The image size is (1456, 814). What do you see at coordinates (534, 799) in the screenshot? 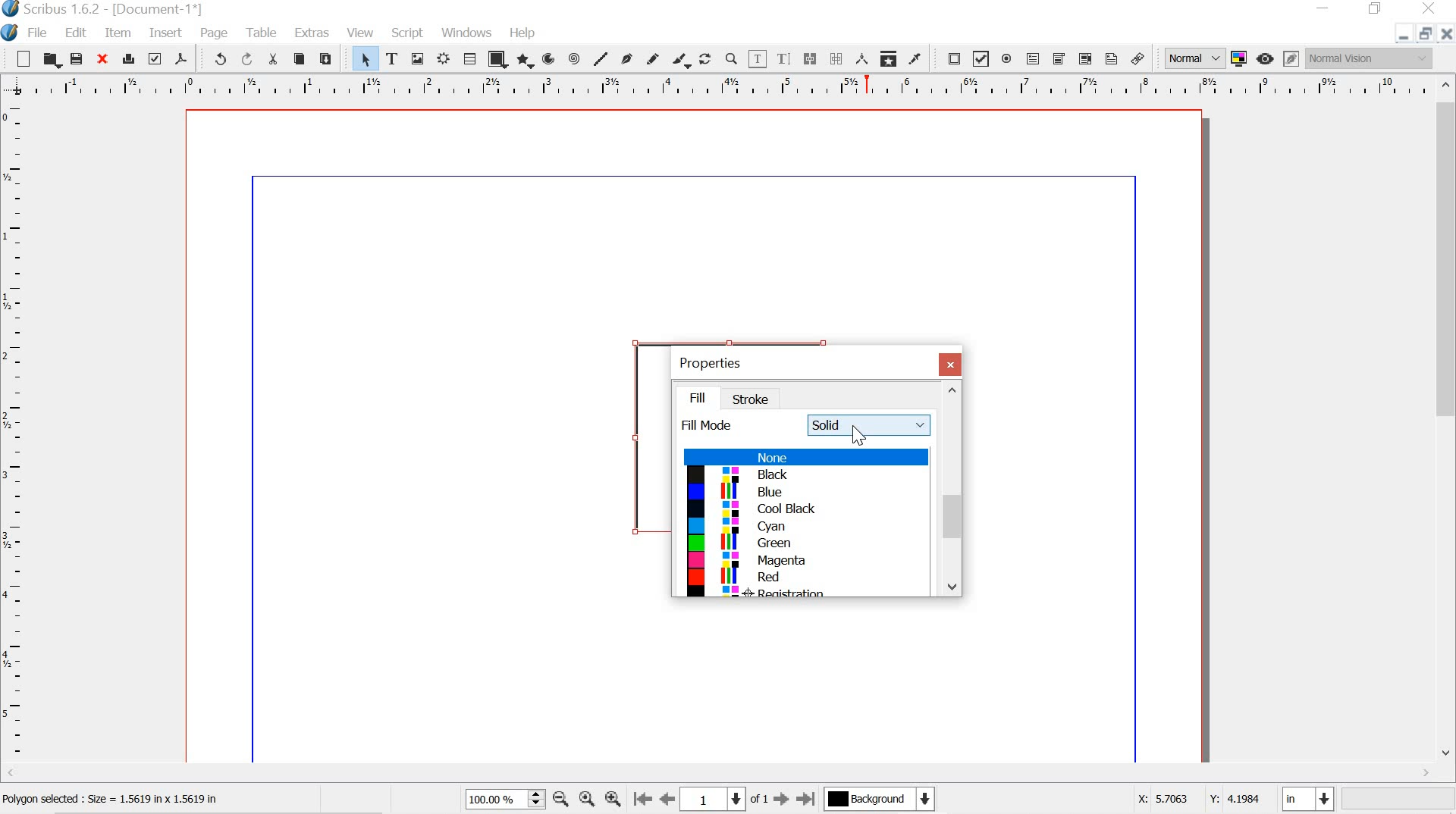
I see `zoom in and out` at bounding box center [534, 799].